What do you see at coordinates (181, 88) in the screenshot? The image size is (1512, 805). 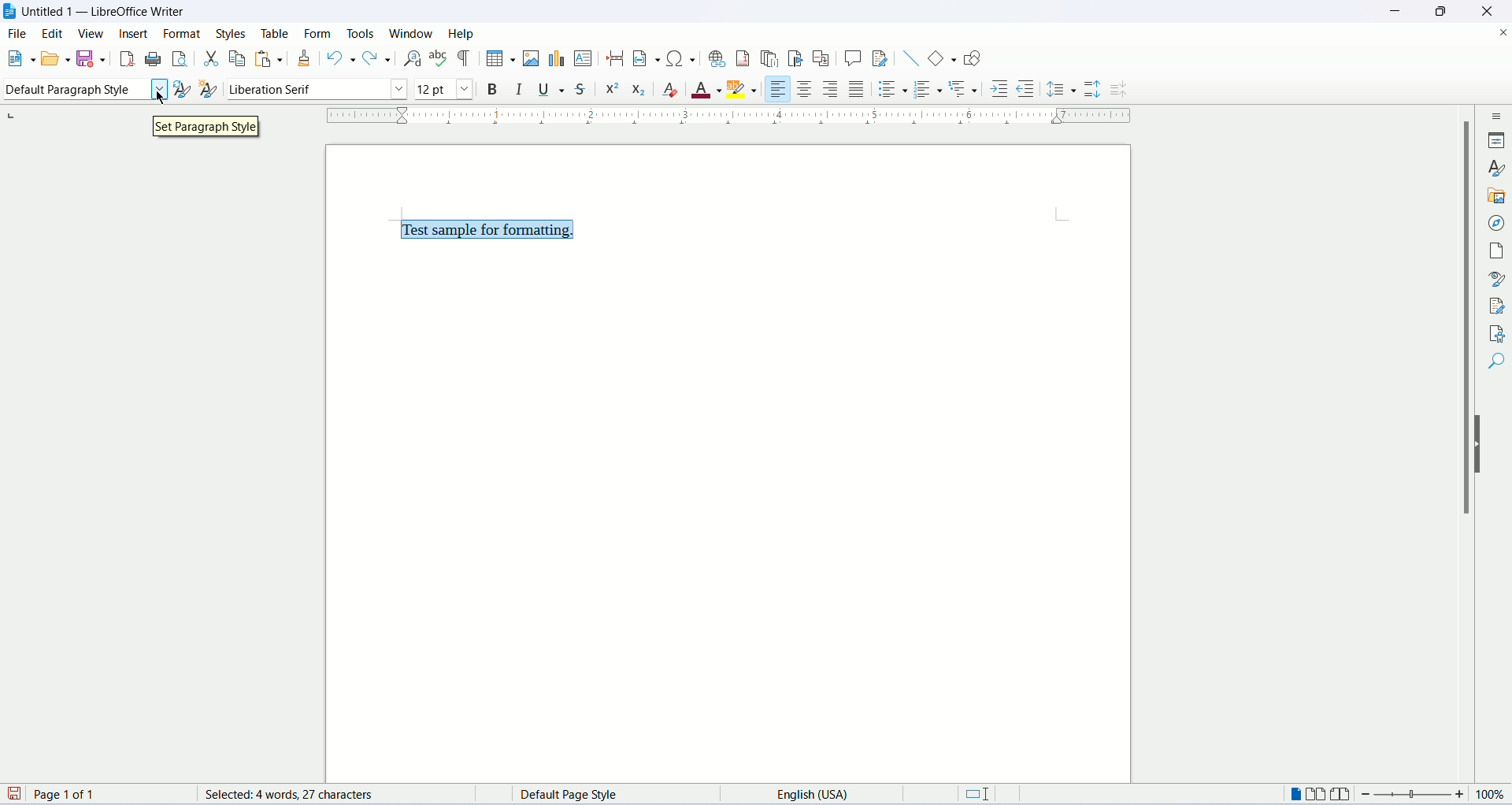 I see `update selected style` at bounding box center [181, 88].